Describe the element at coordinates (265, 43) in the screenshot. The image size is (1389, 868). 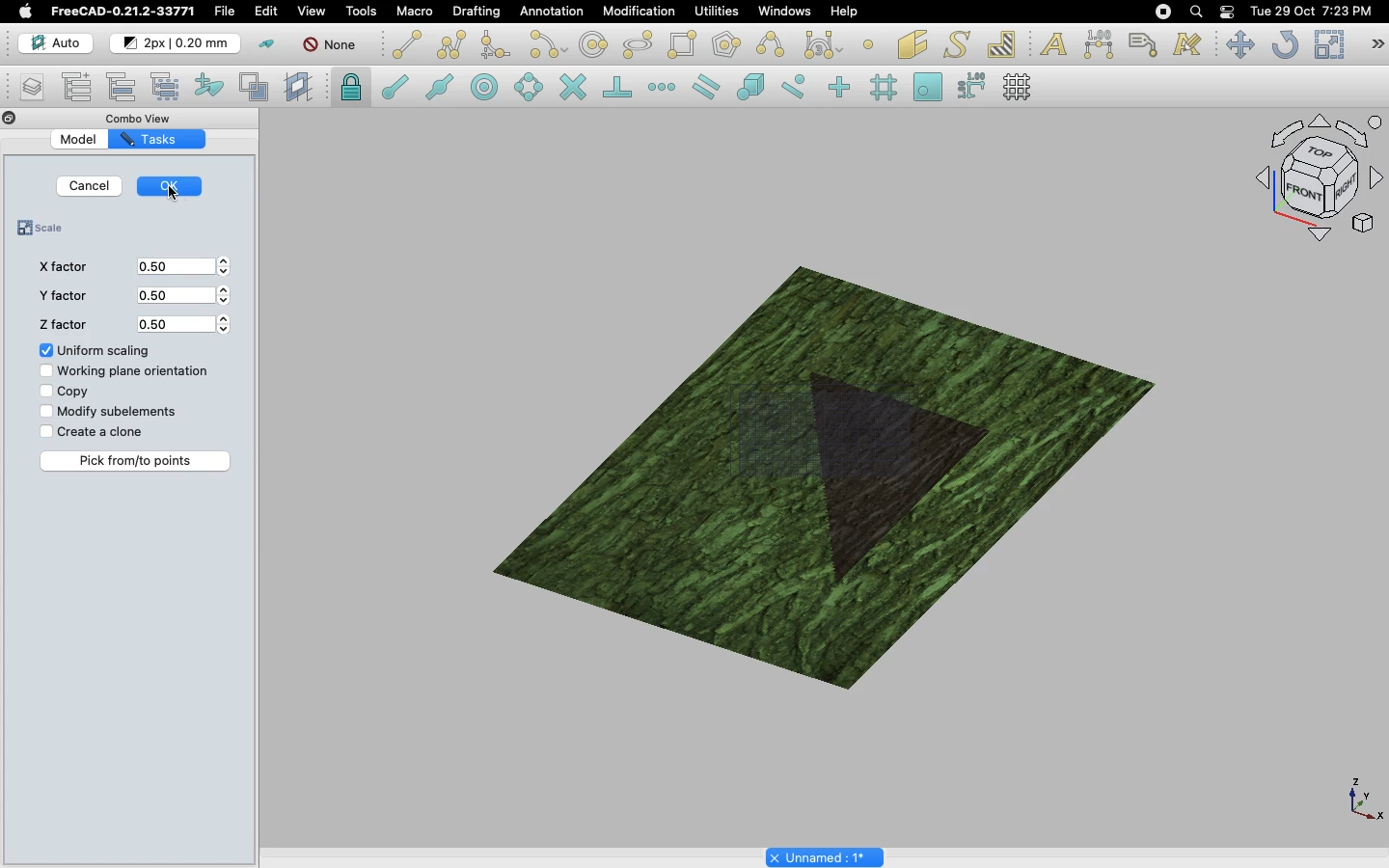
I see `Toggle construction mode` at that location.